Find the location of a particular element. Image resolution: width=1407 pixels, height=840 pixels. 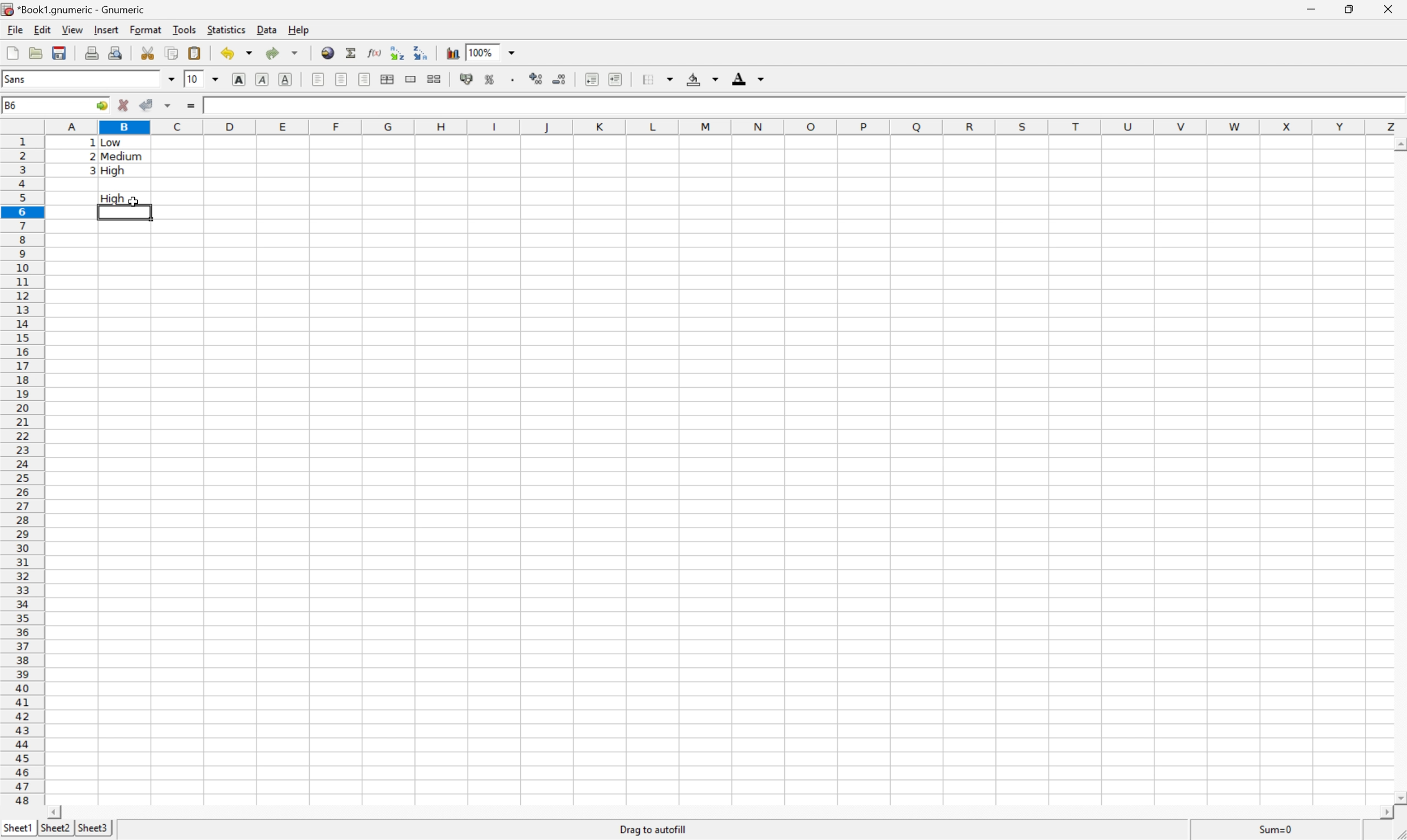

Minimize is located at coordinates (1310, 8).